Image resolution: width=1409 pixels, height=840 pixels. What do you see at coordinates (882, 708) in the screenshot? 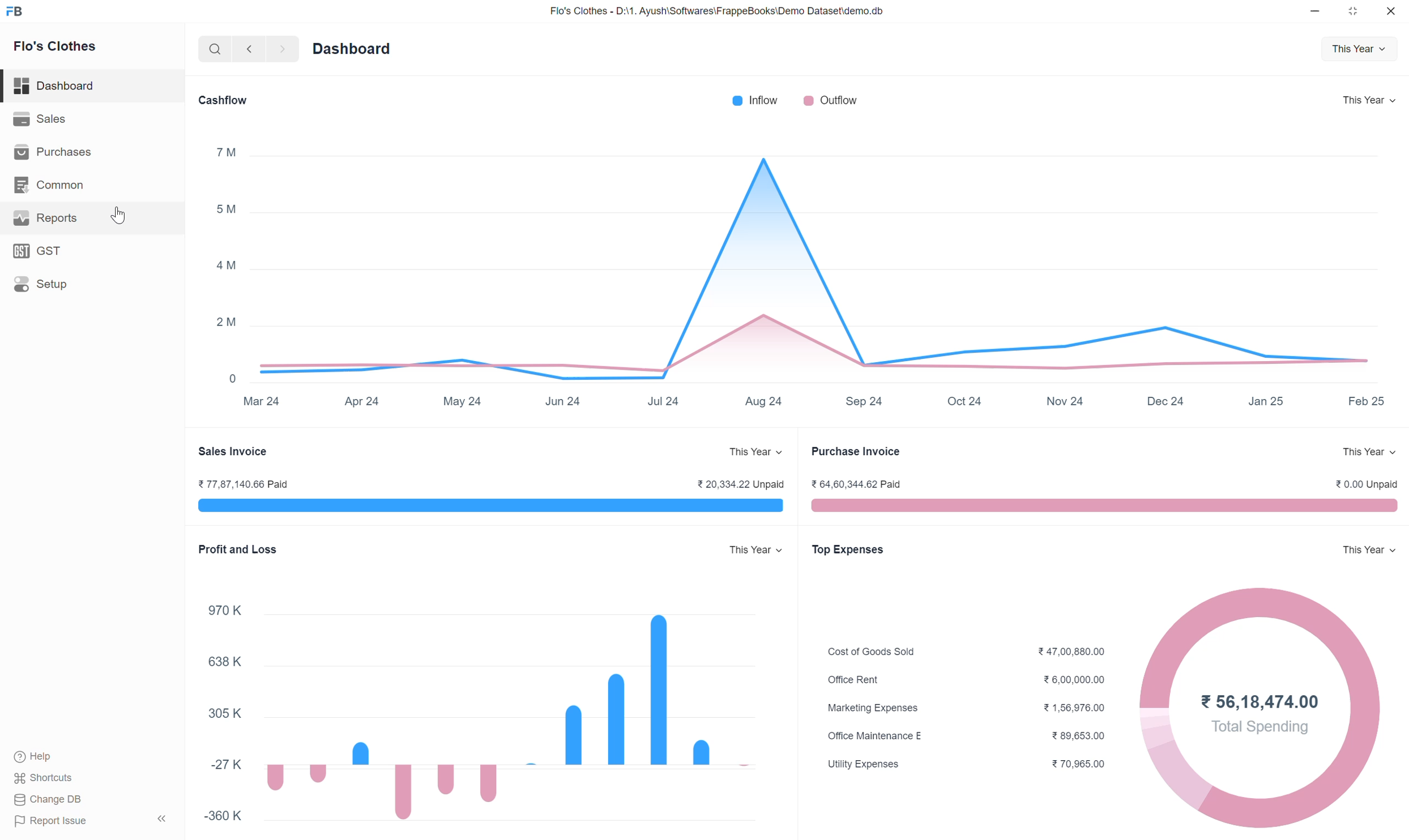
I see `marketing expenses` at bounding box center [882, 708].